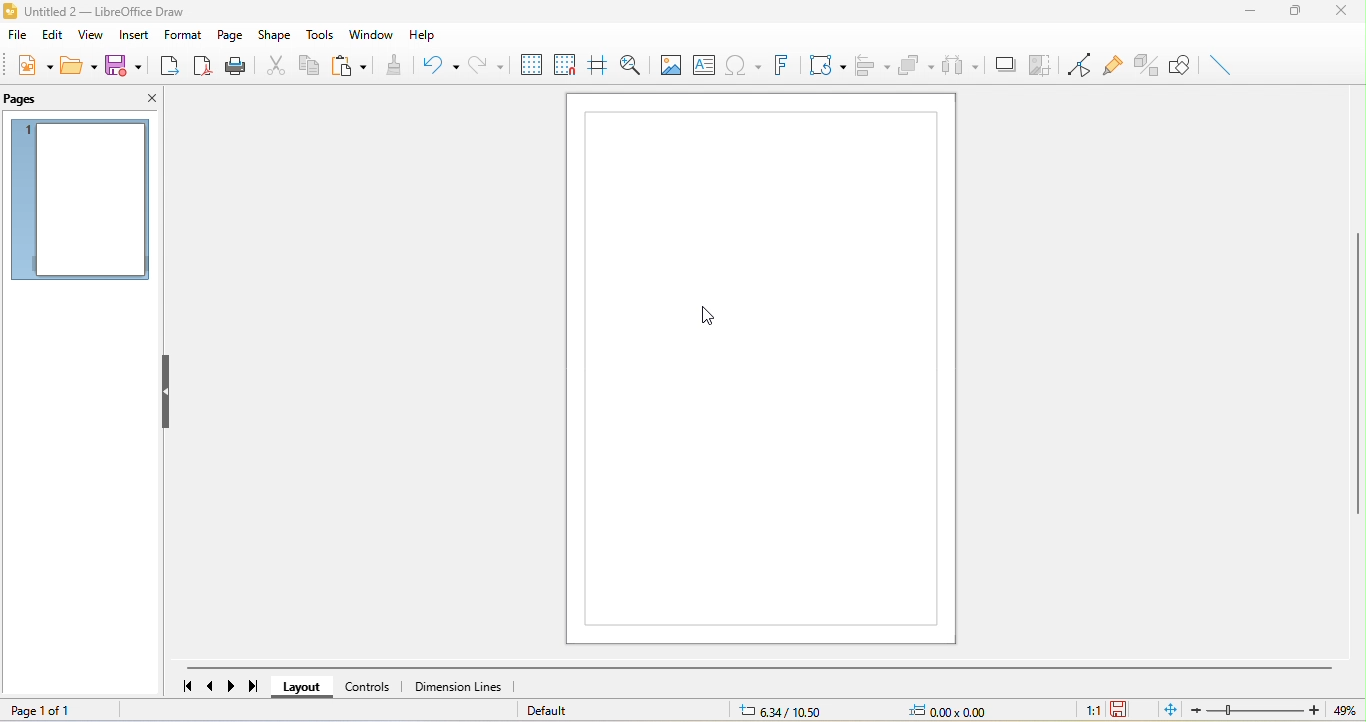  I want to click on cursor, so click(704, 315).